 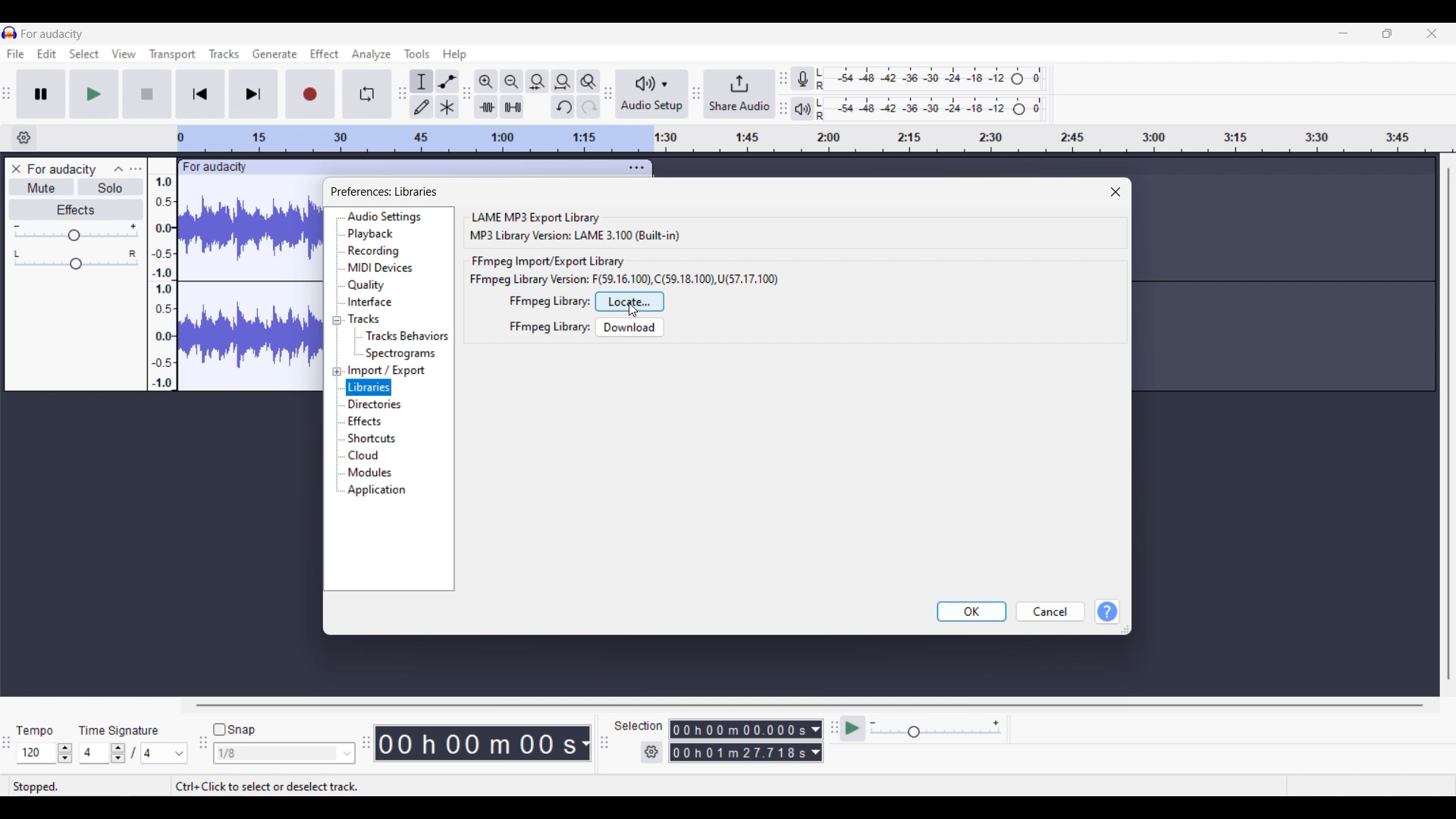 I want to click on Help, so click(x=1107, y=612).